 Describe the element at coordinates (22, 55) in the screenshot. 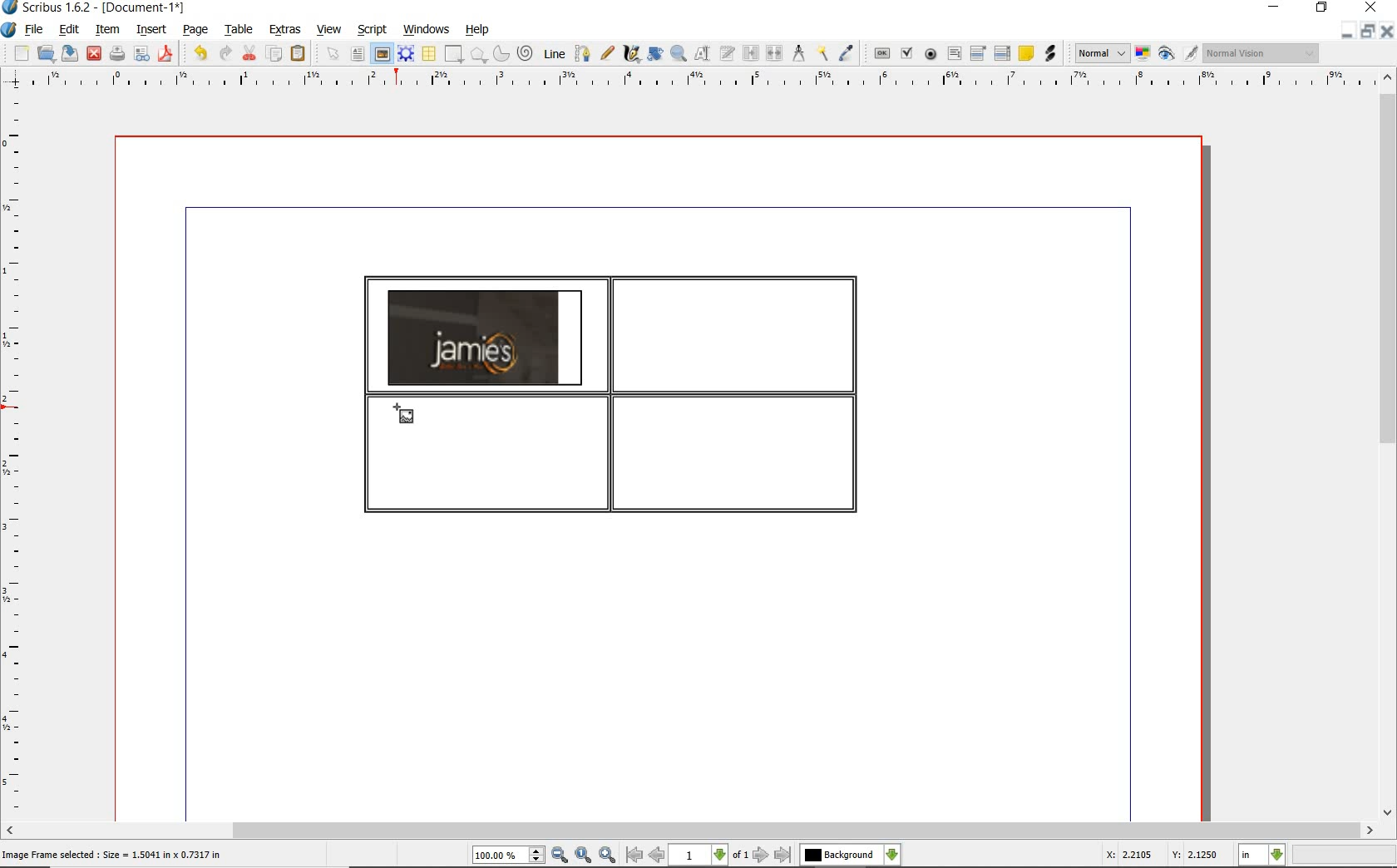

I see `new` at that location.